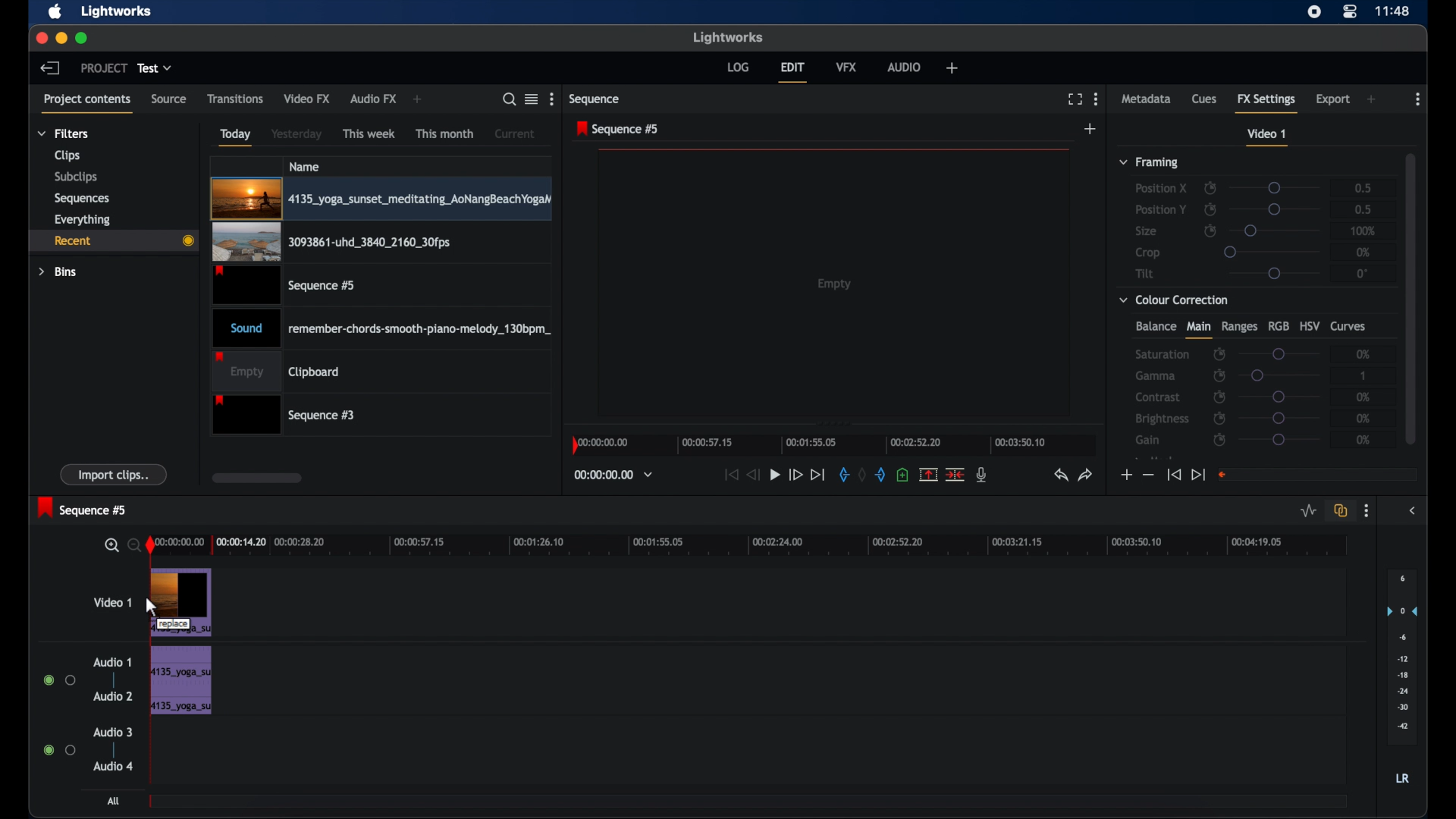 This screenshot has width=1456, height=819. What do you see at coordinates (775, 475) in the screenshot?
I see `play ` at bounding box center [775, 475].